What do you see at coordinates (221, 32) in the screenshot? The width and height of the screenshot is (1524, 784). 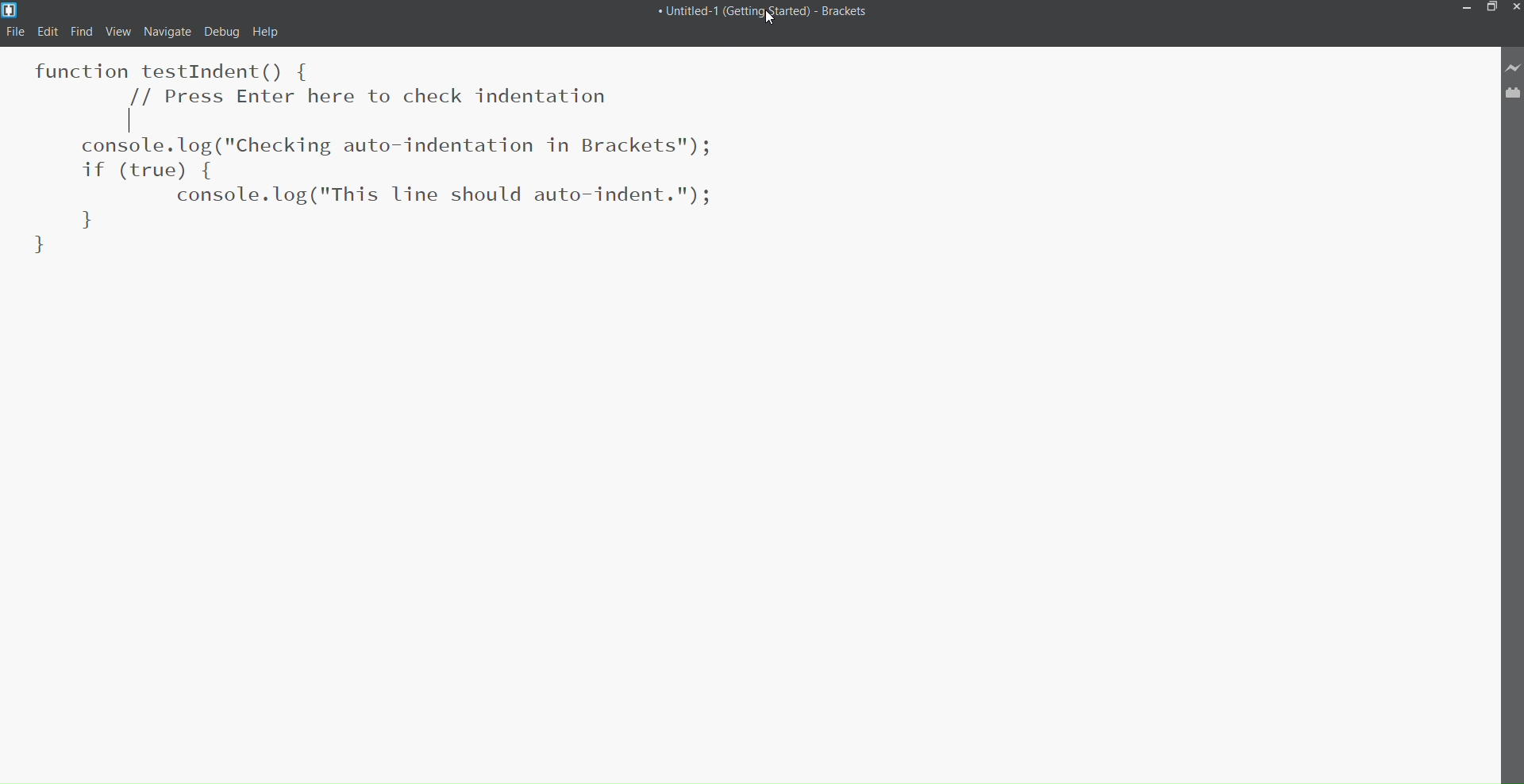 I see `Debug` at bounding box center [221, 32].